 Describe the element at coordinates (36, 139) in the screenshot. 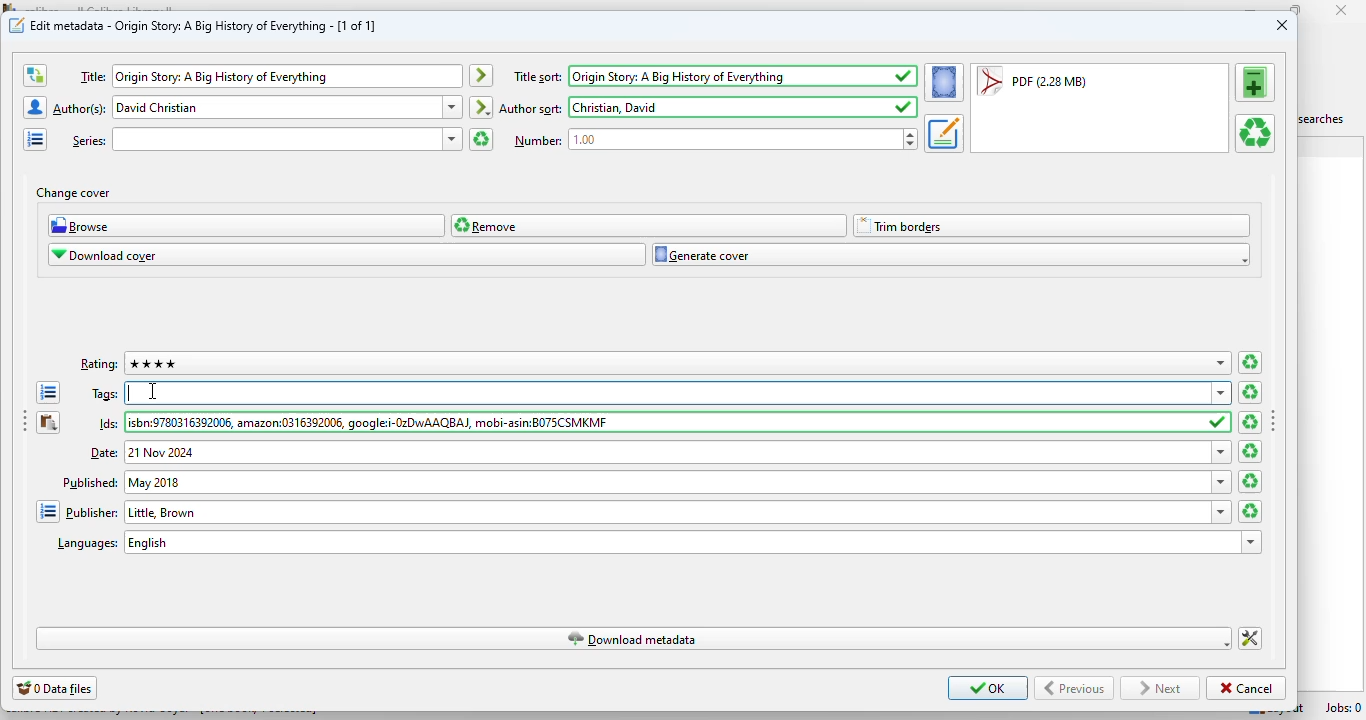

I see `open the manage series editor` at that location.